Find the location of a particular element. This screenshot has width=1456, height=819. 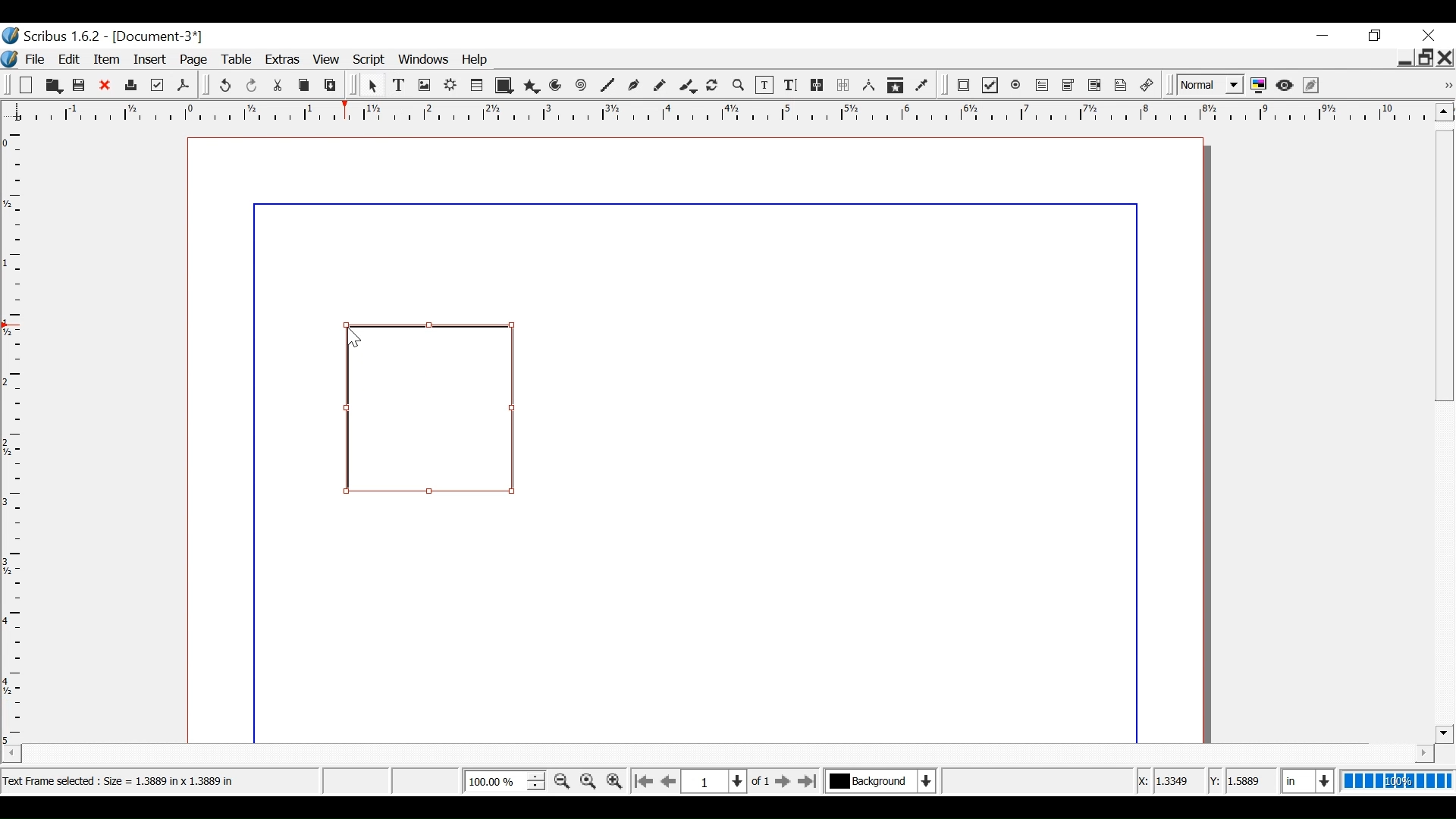

Select the image preview quality is located at coordinates (1212, 85).